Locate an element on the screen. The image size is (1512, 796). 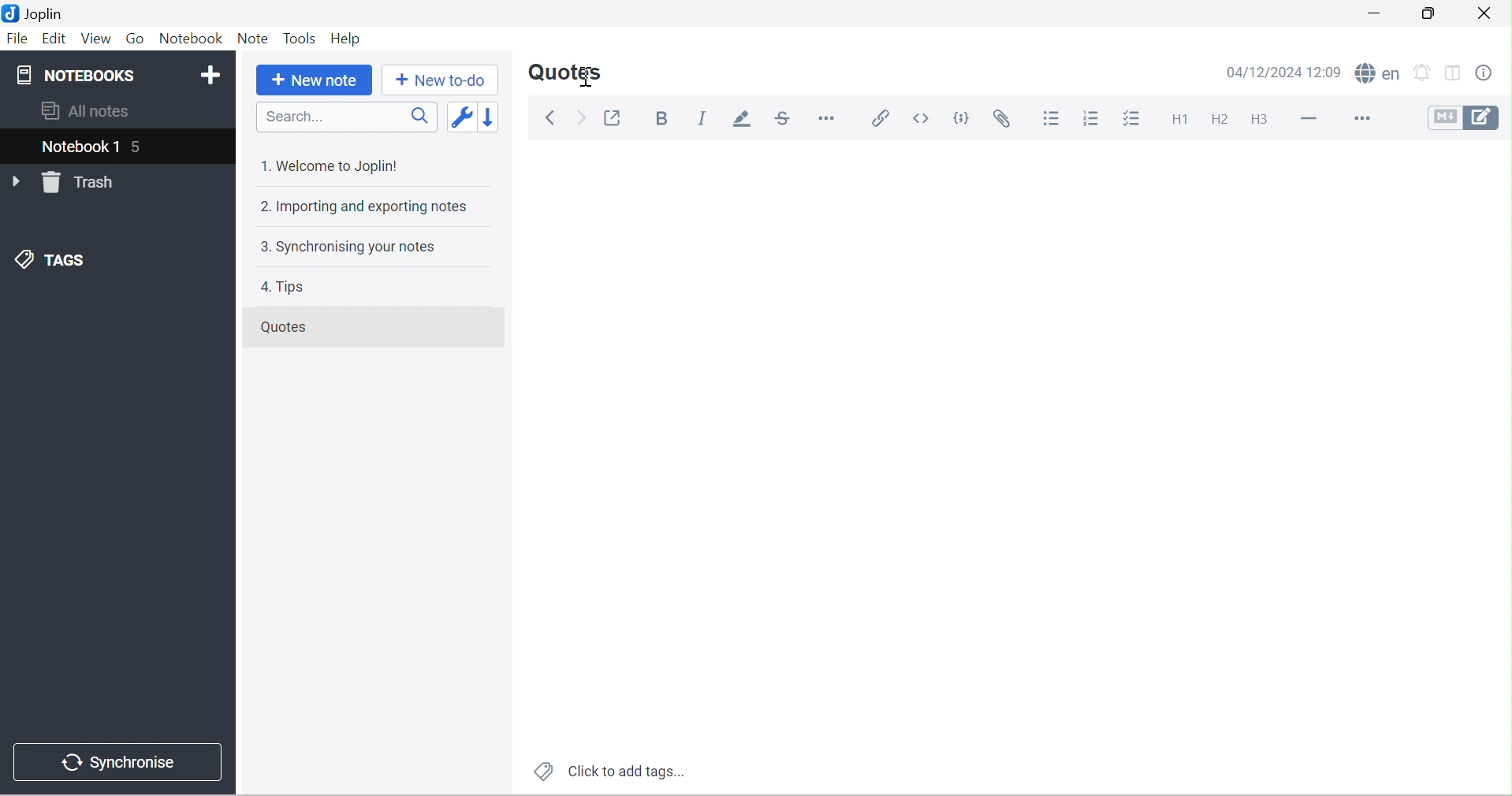
Toggle editors is located at coordinates (1468, 119).